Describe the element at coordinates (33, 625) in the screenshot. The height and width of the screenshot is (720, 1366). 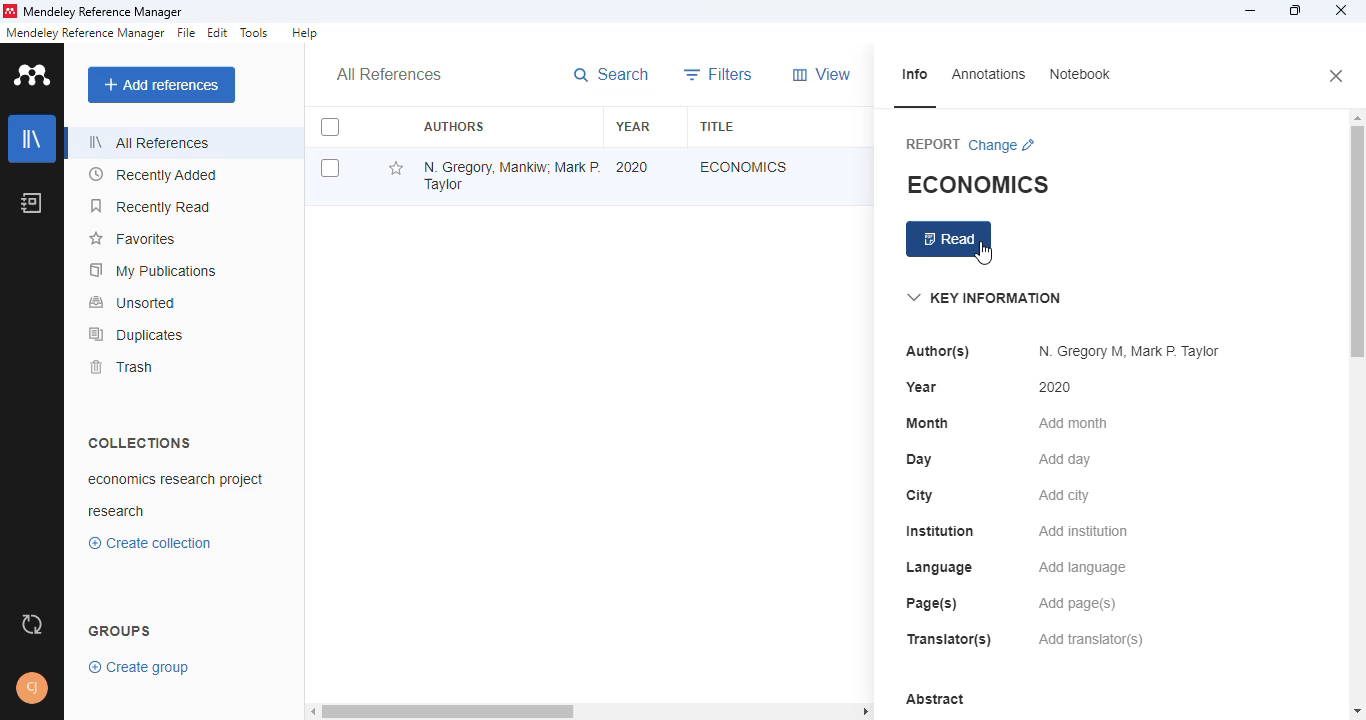
I see `sync` at that location.